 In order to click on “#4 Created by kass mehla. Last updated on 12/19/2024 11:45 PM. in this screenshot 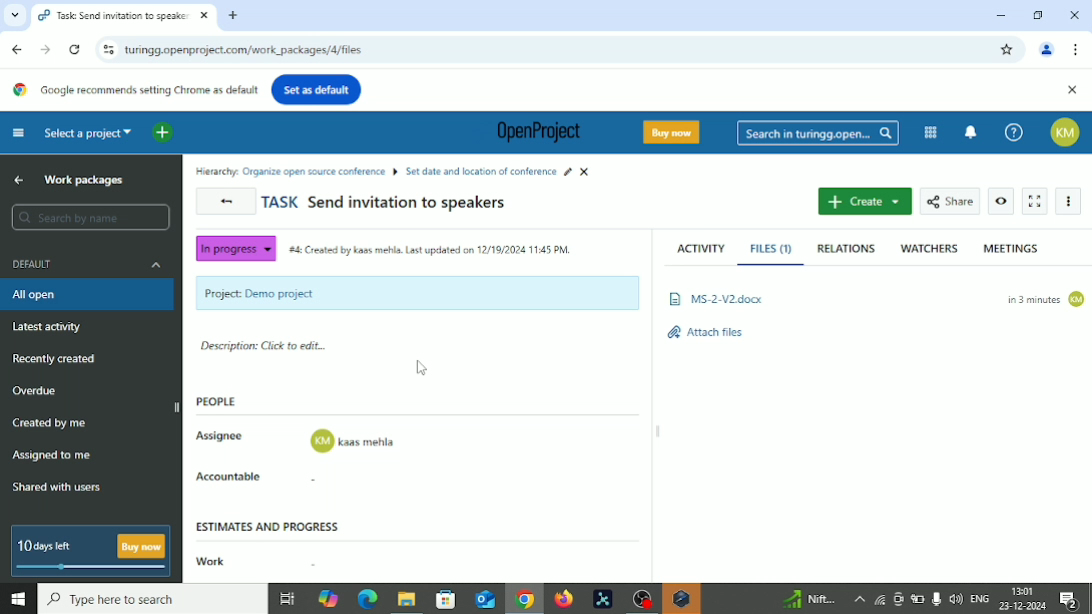, I will do `click(432, 253)`.